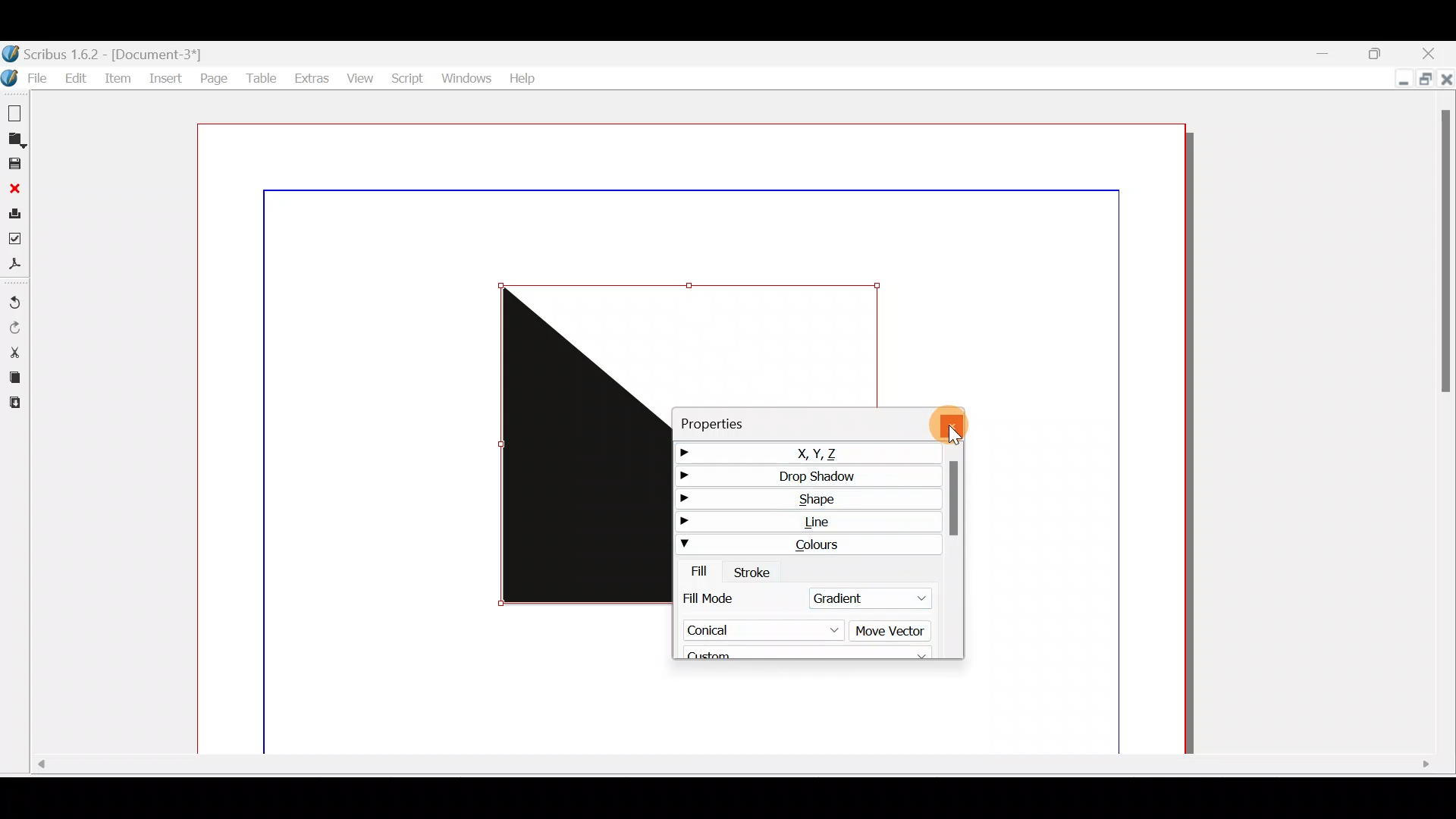 Image resolution: width=1456 pixels, height=819 pixels. Describe the element at coordinates (722, 598) in the screenshot. I see `Stroke mode` at that location.